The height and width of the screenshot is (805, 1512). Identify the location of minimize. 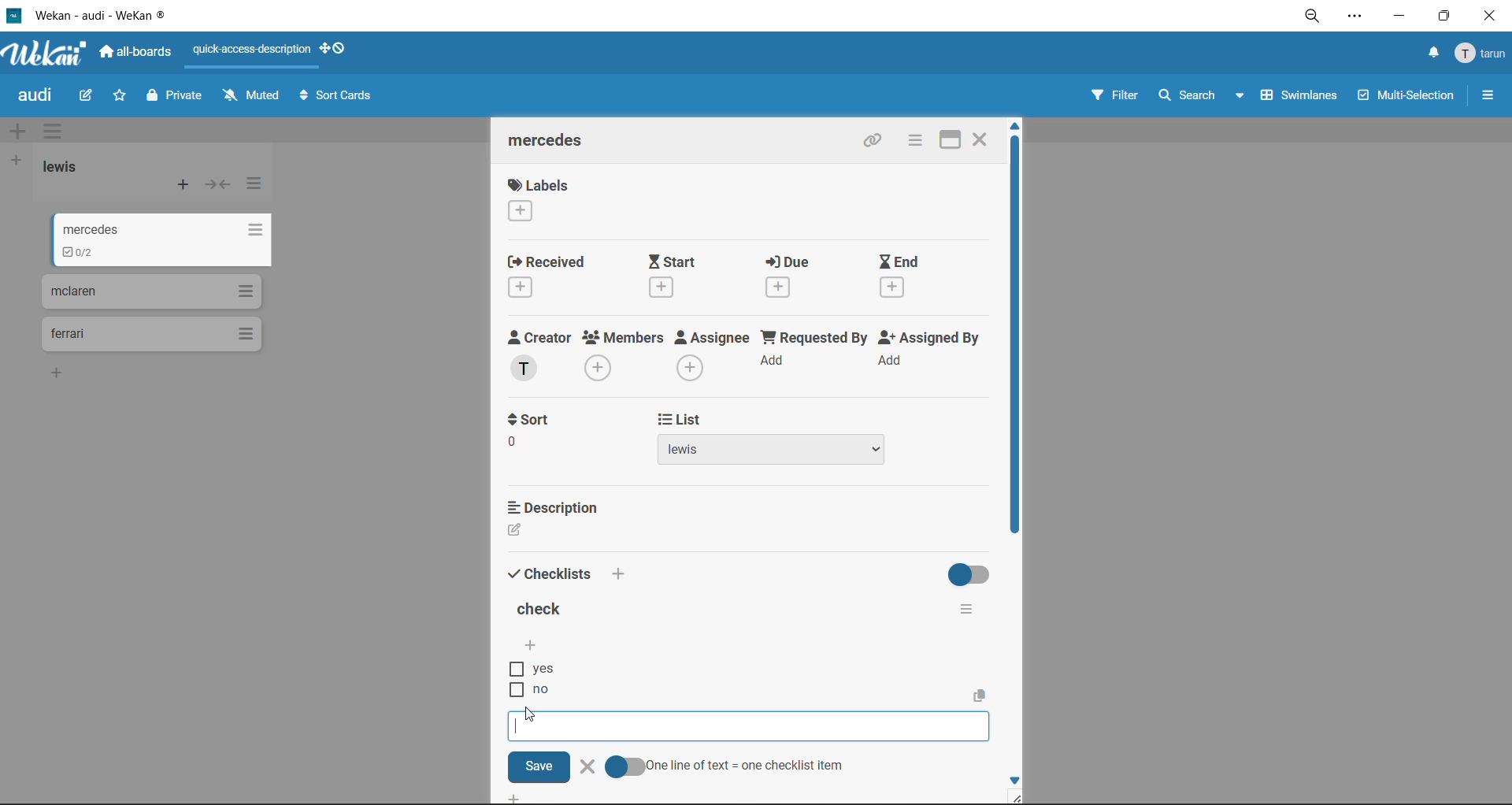
(1399, 20).